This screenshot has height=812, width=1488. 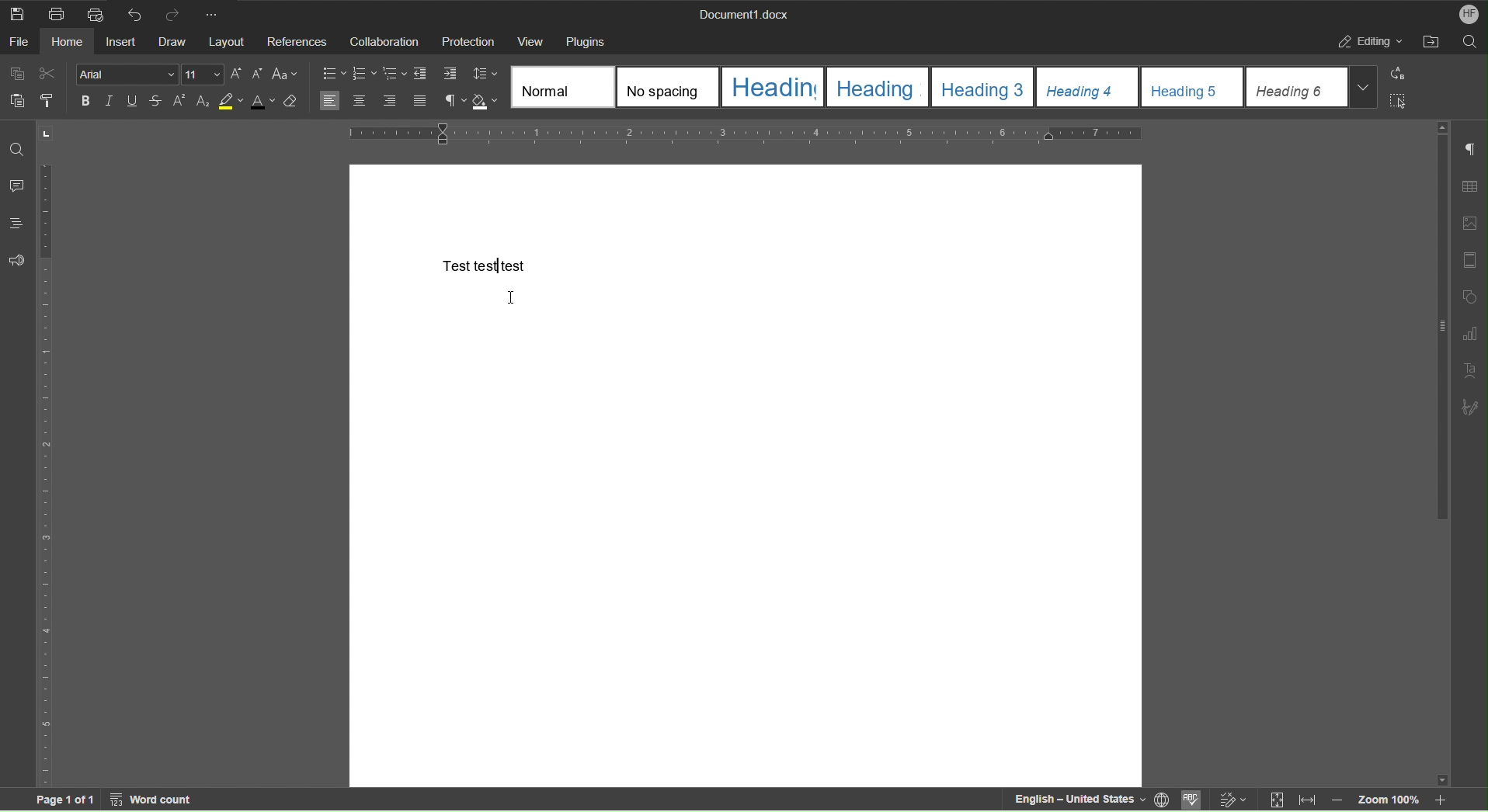 I want to click on Erase Style, so click(x=291, y=103).